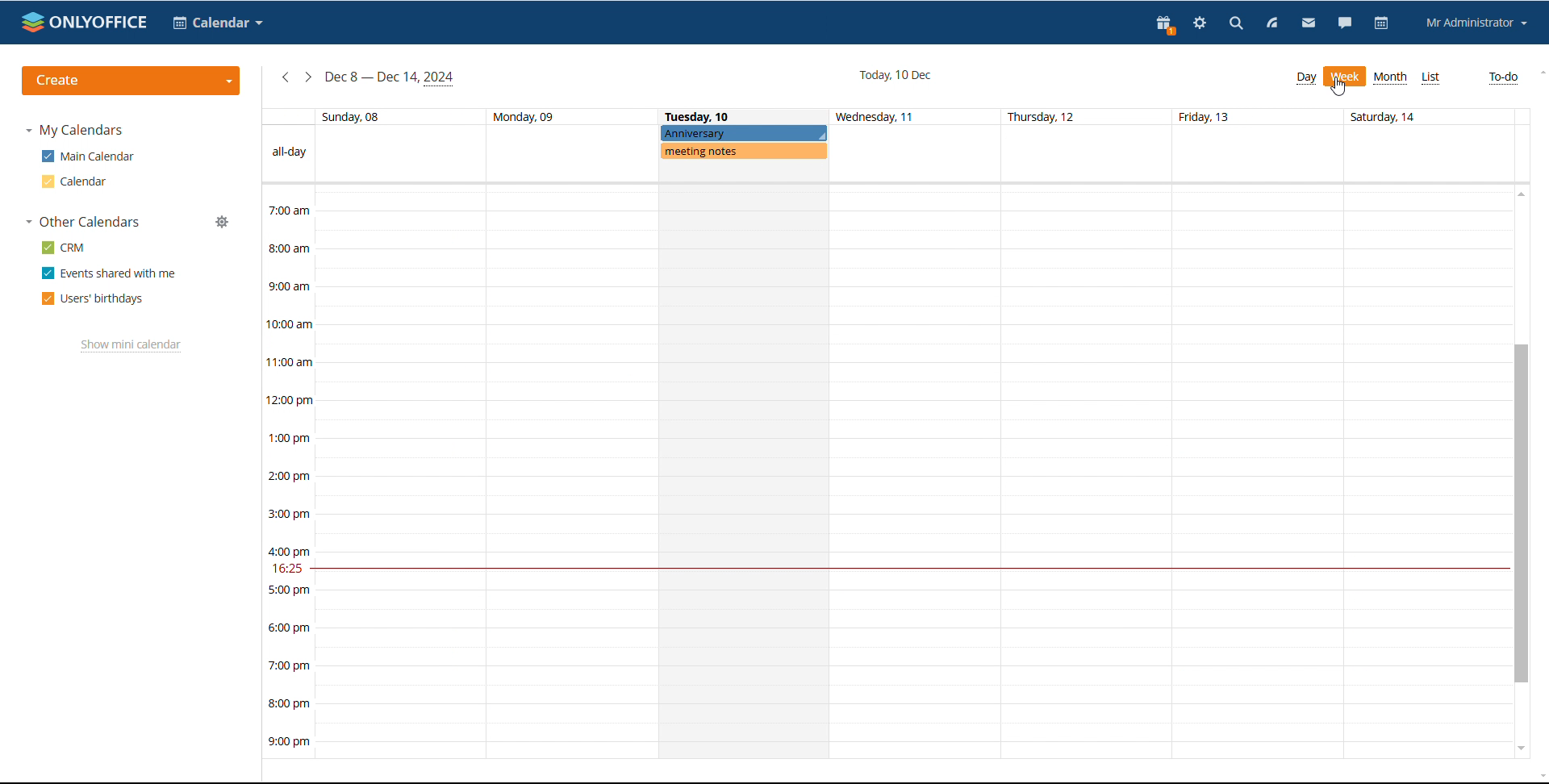 This screenshot has height=784, width=1549. I want to click on create, so click(132, 81).